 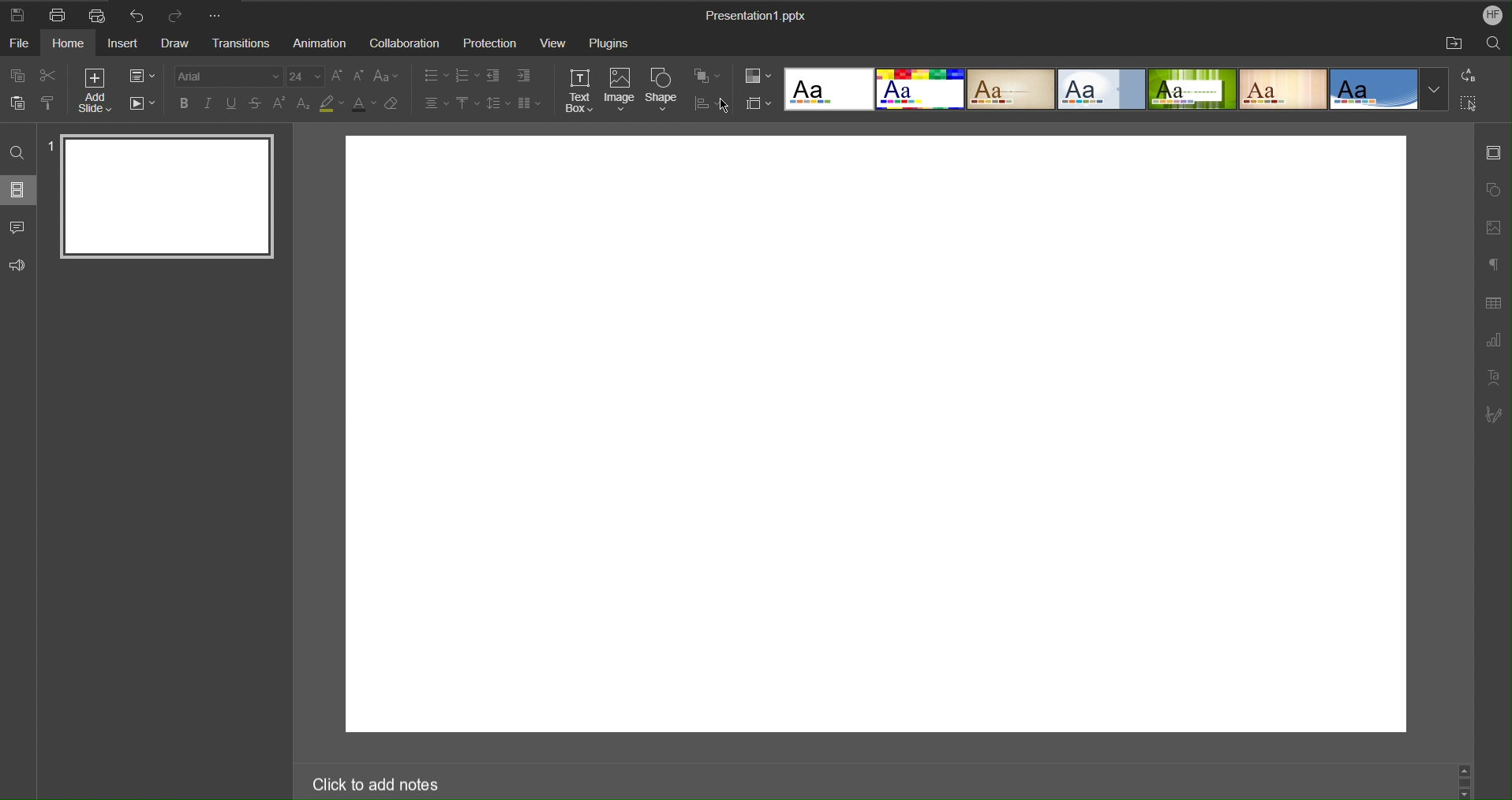 What do you see at coordinates (360, 76) in the screenshot?
I see `Decrease Size` at bounding box center [360, 76].